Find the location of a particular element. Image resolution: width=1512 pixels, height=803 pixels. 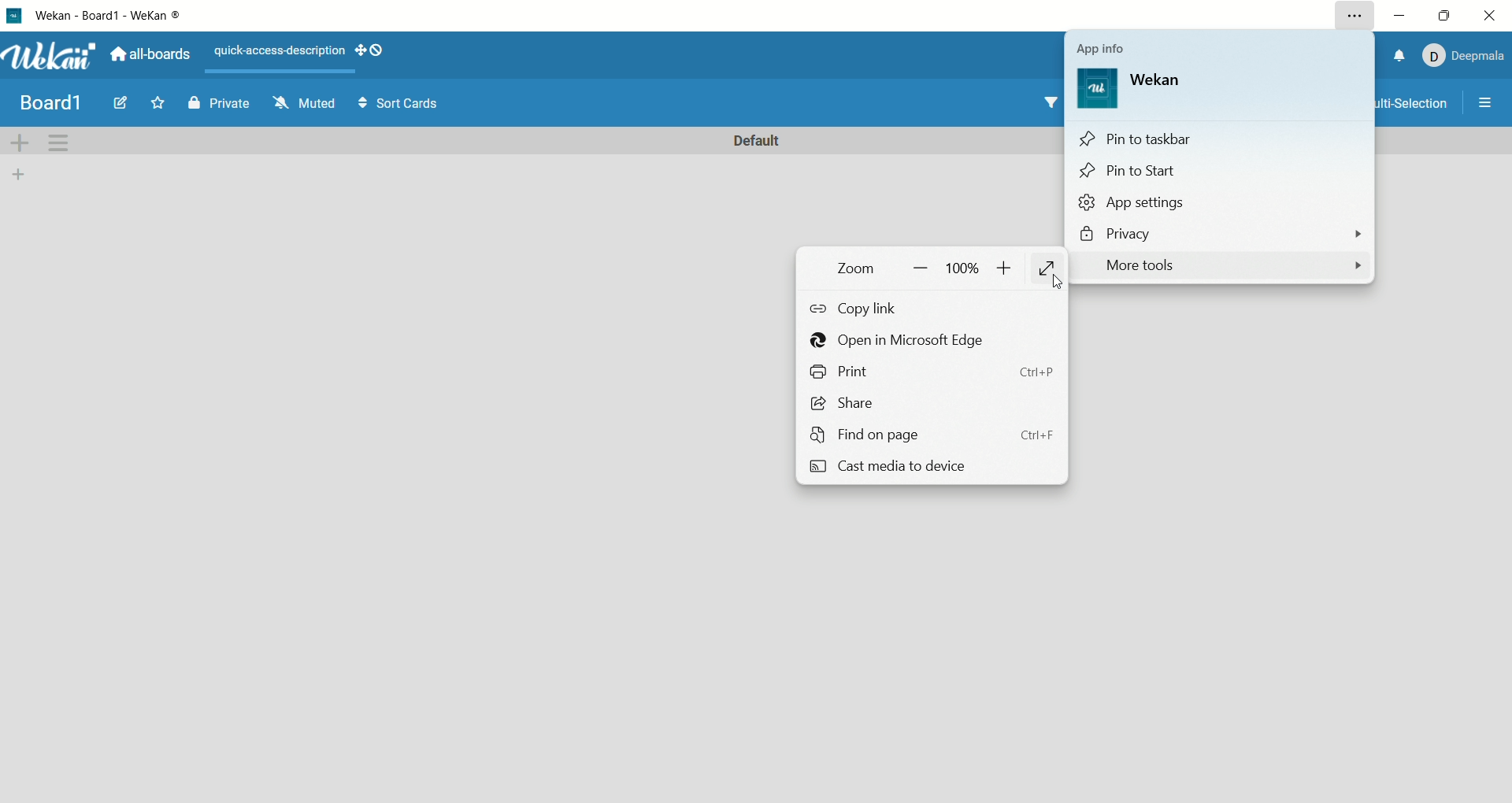

cursor is located at coordinates (1057, 281).